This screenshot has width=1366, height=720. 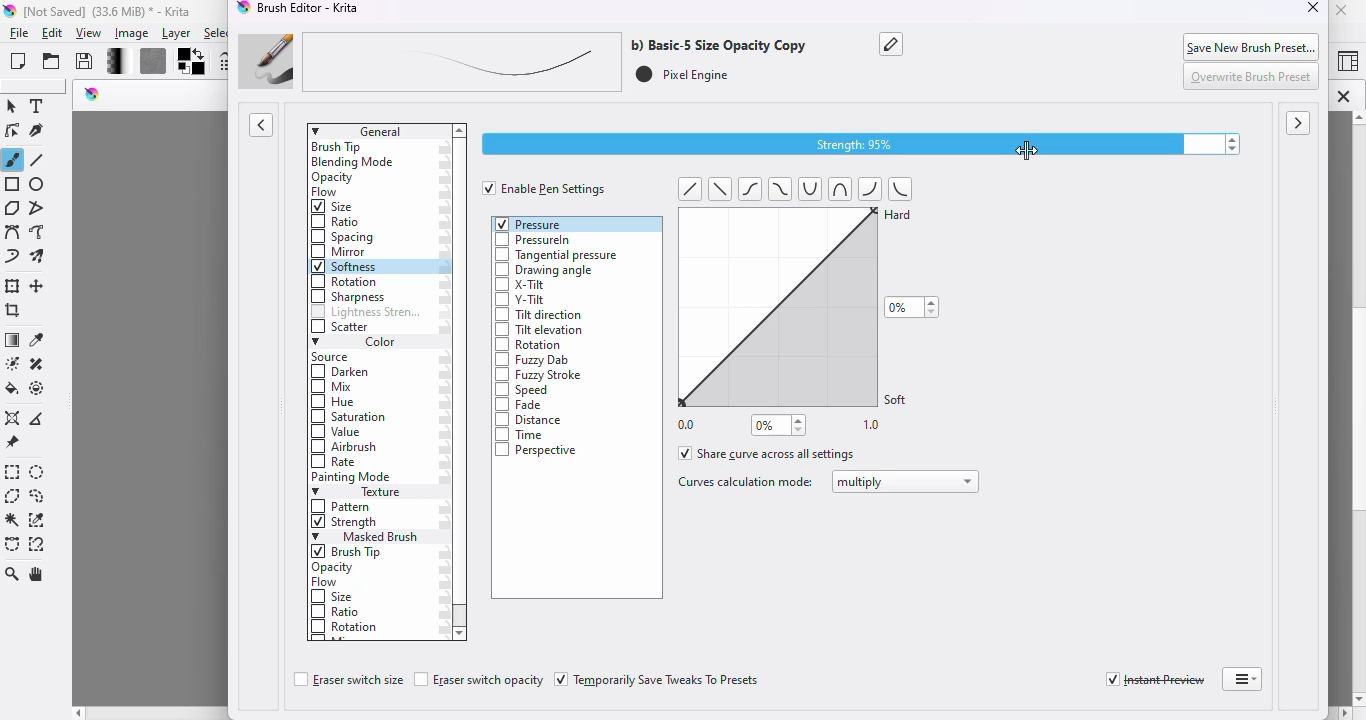 I want to click on eraser switch size, so click(x=347, y=681).